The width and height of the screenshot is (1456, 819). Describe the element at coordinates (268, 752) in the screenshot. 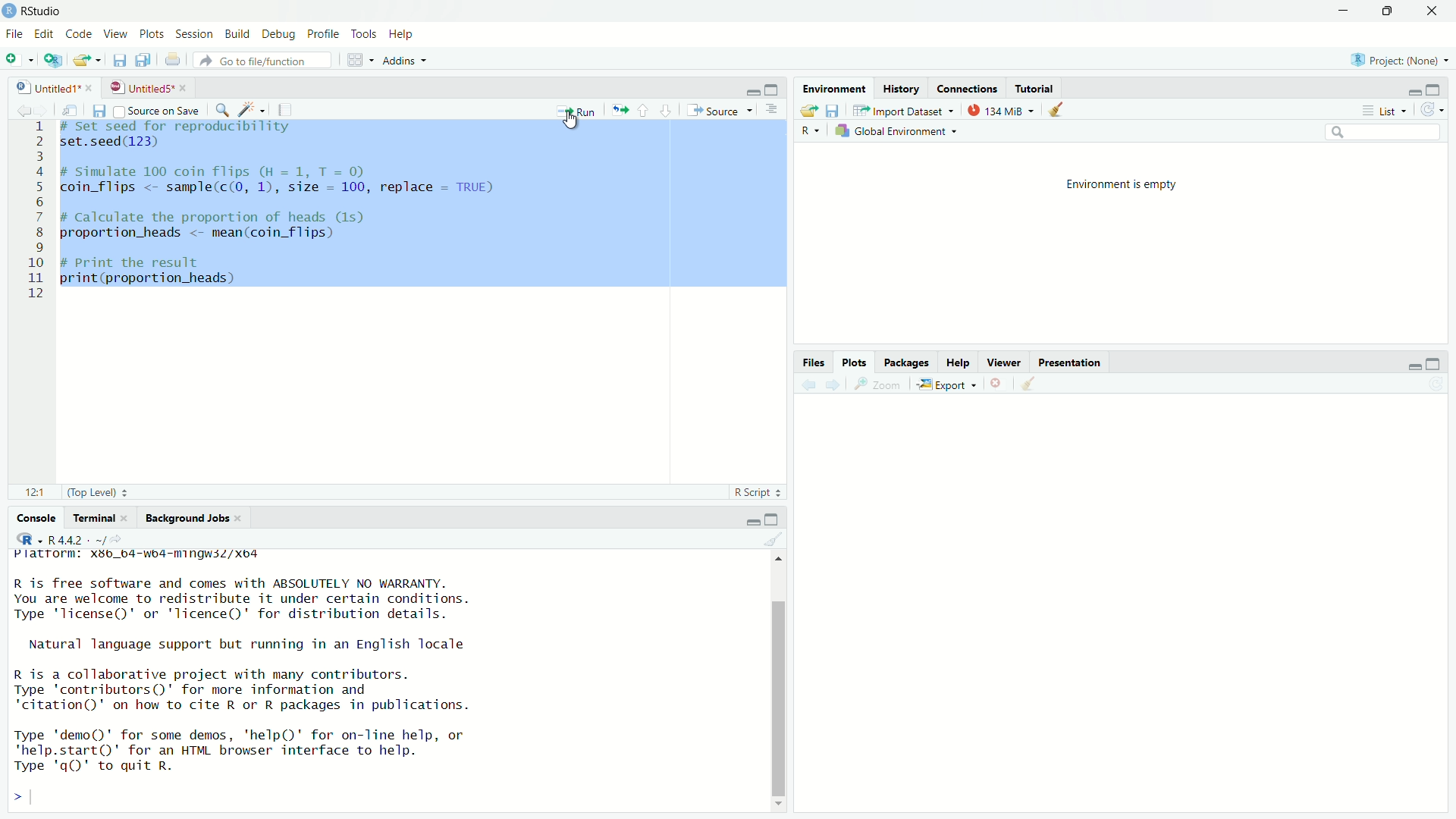

I see `Type 'demo()' for some demos, 'help()' for on-Tine help, or
'help.start()' for an HTML browser interface to help.
Type 'qQ' to quit R.` at that location.